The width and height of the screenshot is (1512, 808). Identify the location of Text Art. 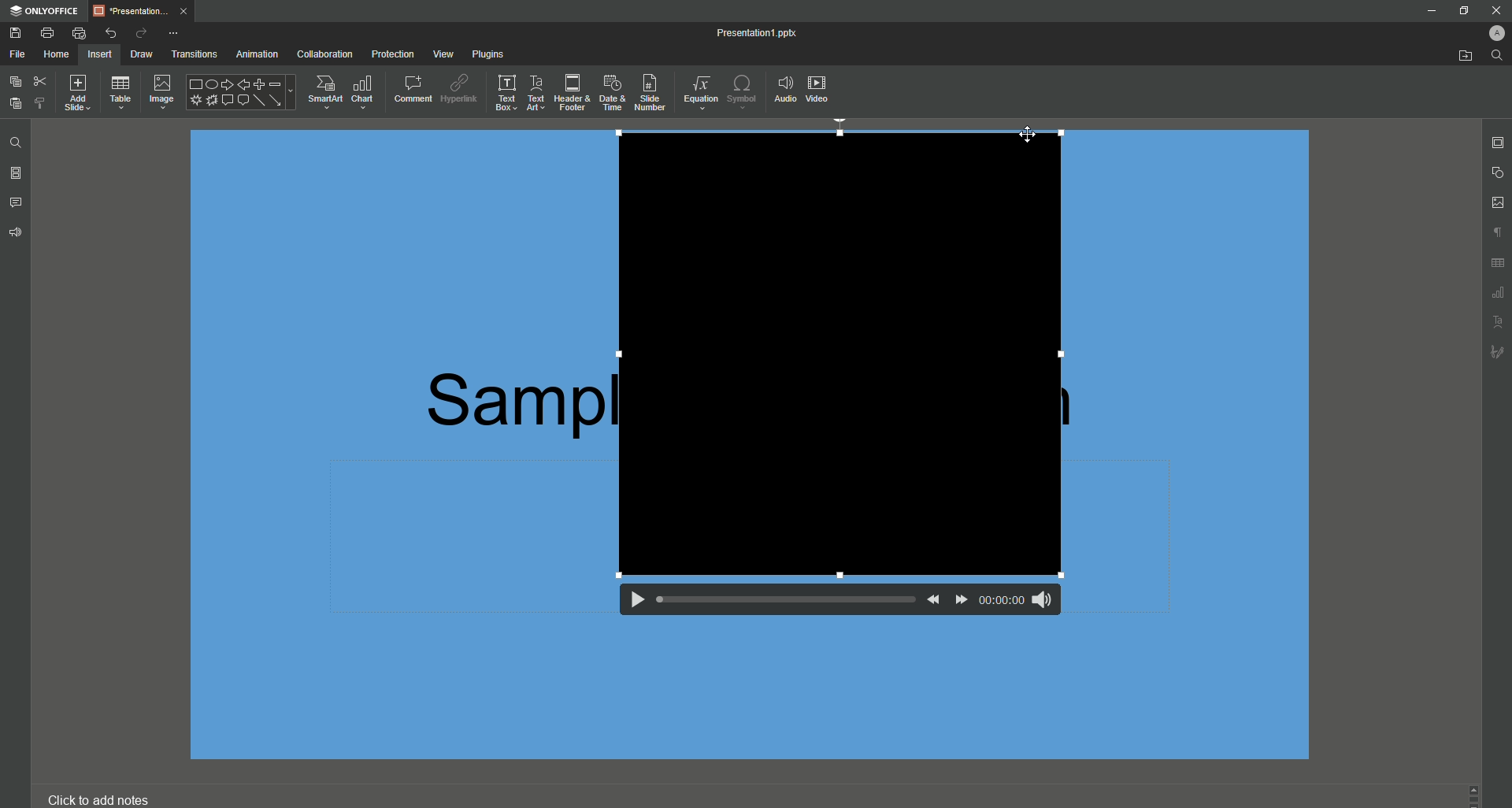
(535, 93).